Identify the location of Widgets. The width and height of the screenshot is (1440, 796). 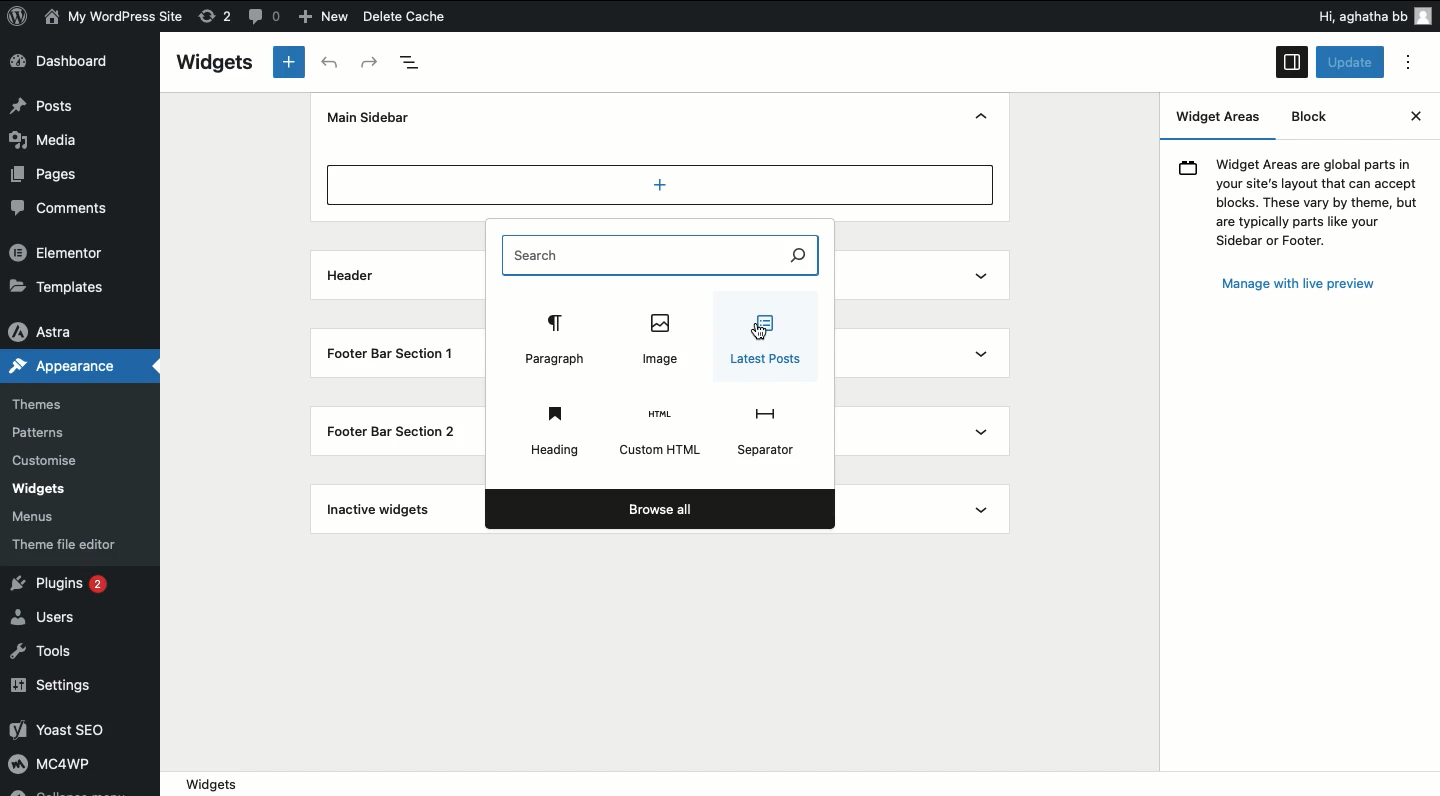
(219, 64).